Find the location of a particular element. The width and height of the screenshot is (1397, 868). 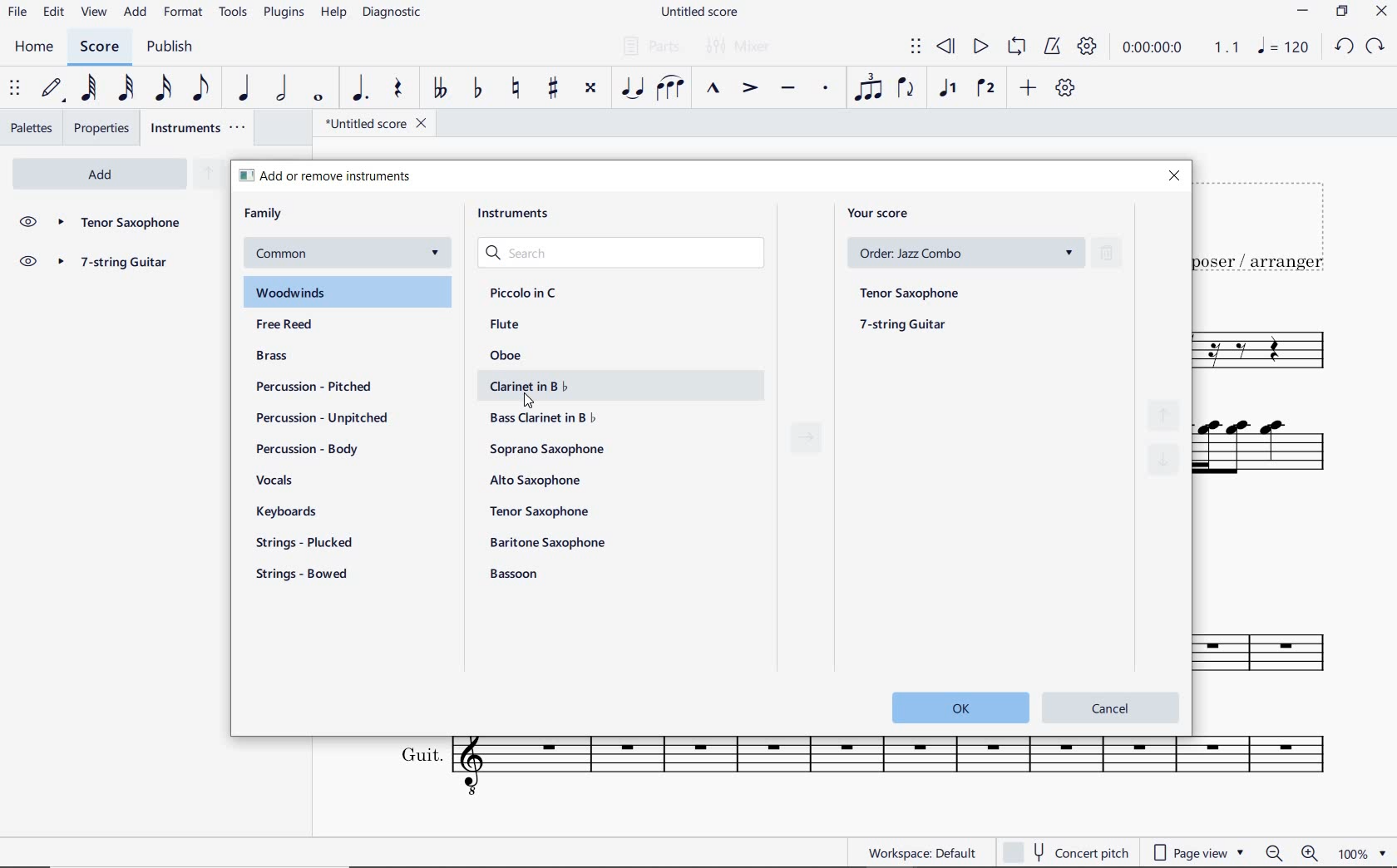

cancel is located at coordinates (1112, 706).